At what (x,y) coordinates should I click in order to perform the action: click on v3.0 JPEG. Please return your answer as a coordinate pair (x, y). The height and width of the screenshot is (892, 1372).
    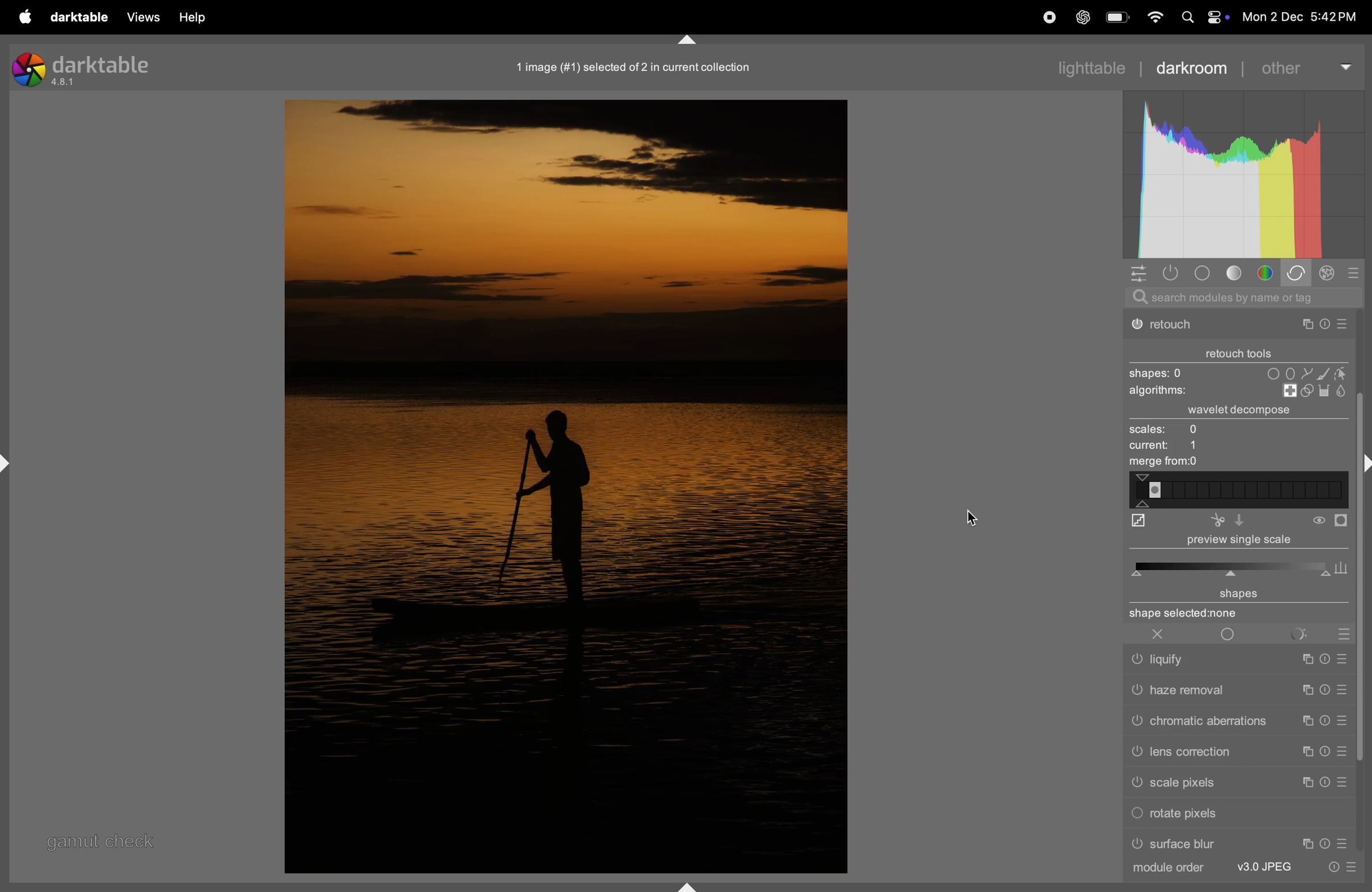
    Looking at the image, I should click on (1266, 875).